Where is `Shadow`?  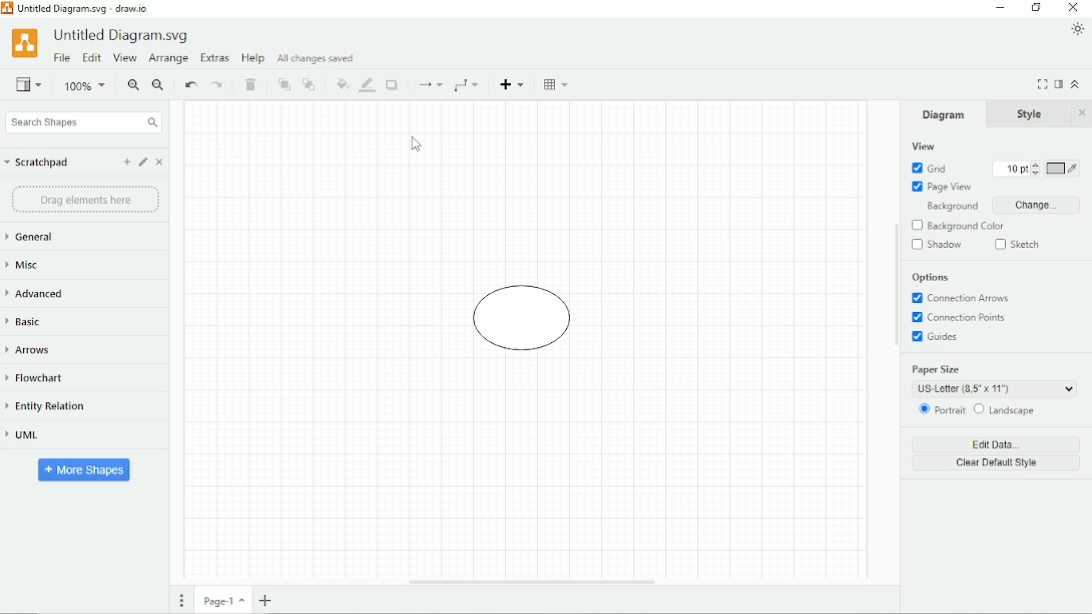 Shadow is located at coordinates (938, 245).